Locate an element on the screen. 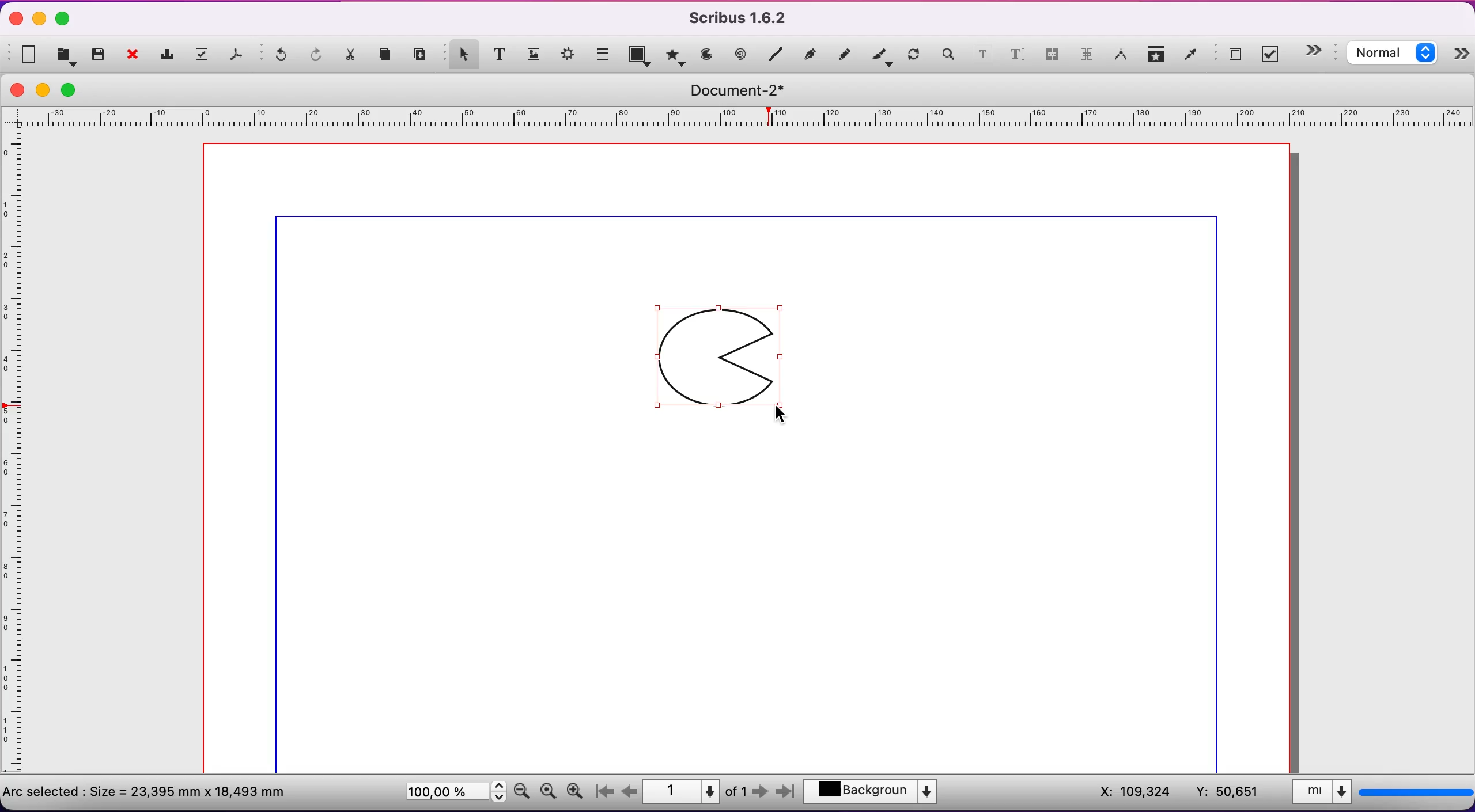 The width and height of the screenshot is (1475, 812). coordinates is located at coordinates (1175, 792).